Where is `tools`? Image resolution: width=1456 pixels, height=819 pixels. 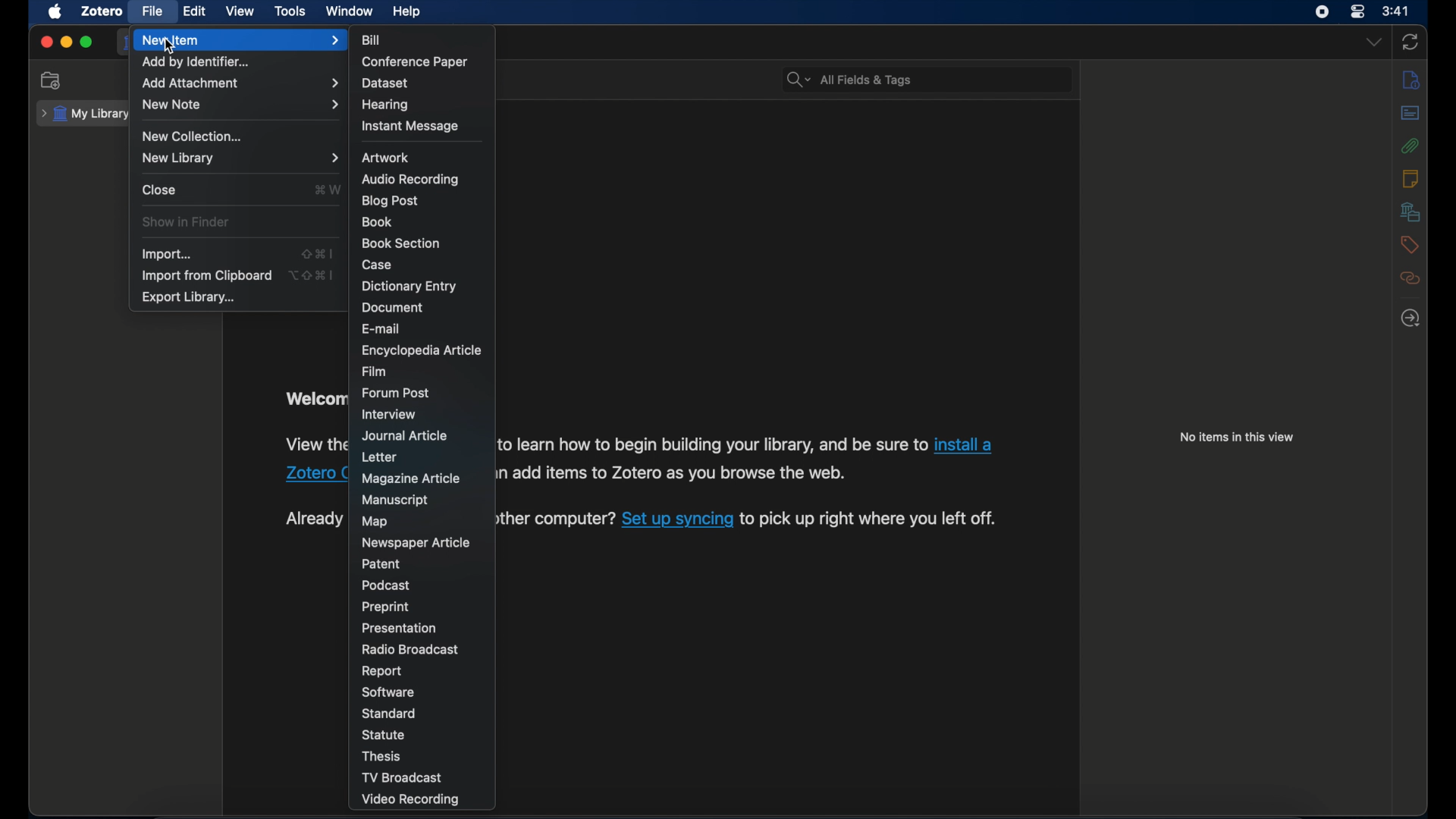
tools is located at coordinates (290, 11).